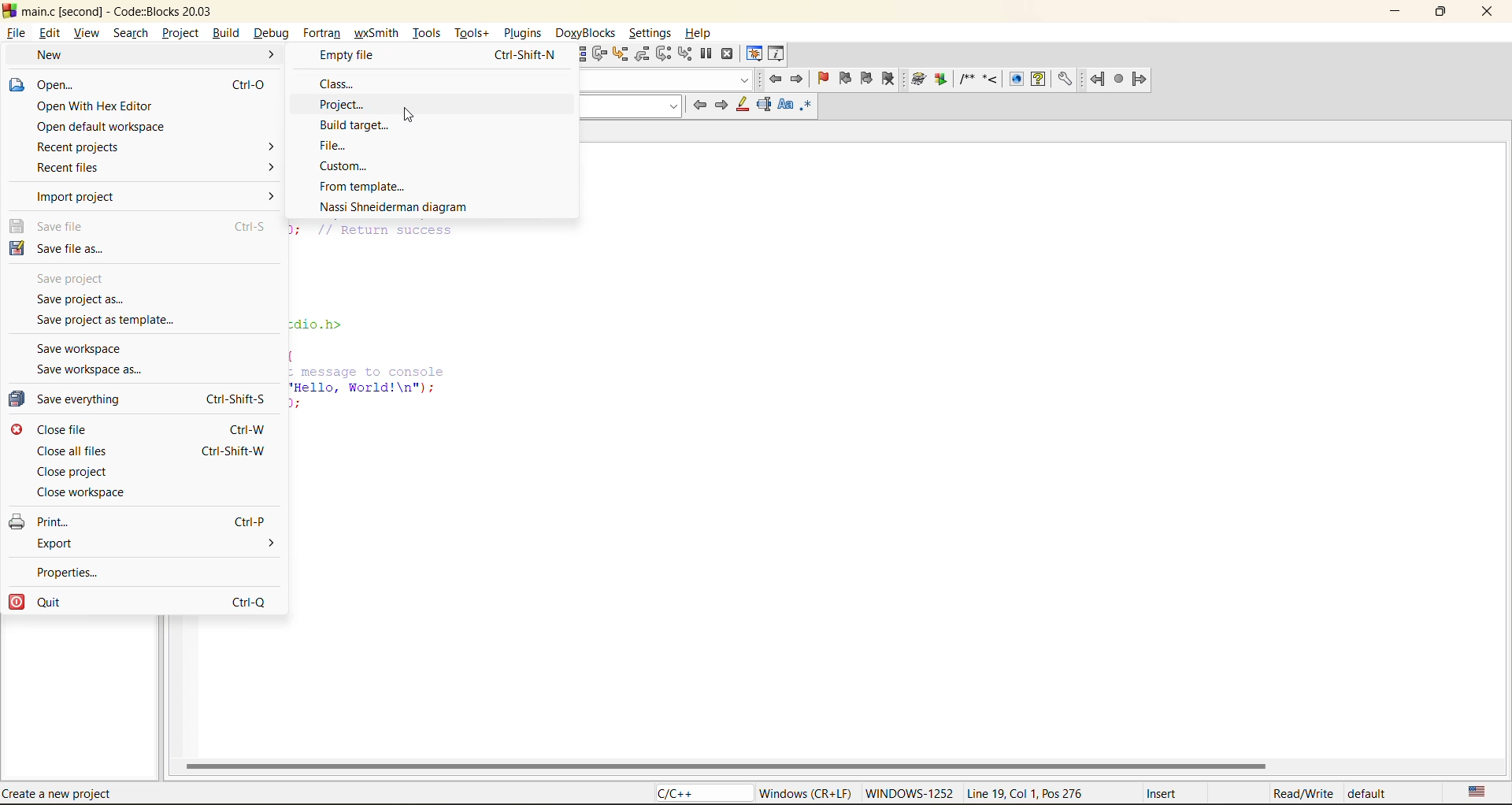  Describe the element at coordinates (428, 31) in the screenshot. I see `tools` at that location.